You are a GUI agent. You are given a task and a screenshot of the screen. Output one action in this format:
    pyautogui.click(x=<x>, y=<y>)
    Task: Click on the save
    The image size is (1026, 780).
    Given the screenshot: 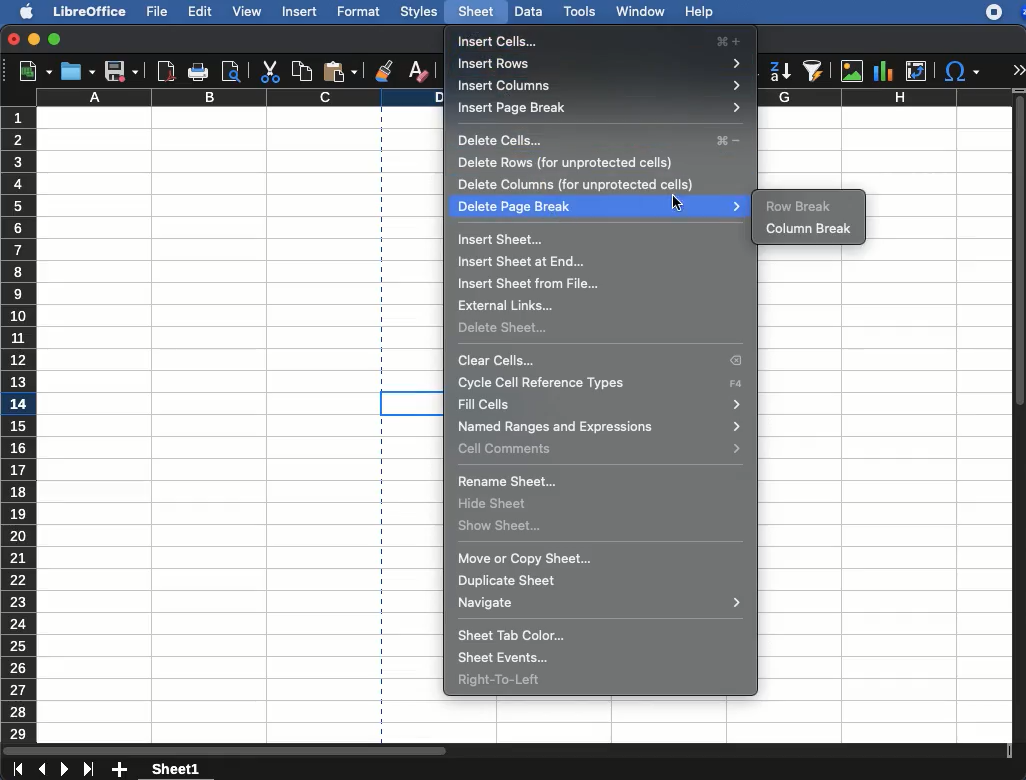 What is the action you would take?
    pyautogui.click(x=122, y=71)
    